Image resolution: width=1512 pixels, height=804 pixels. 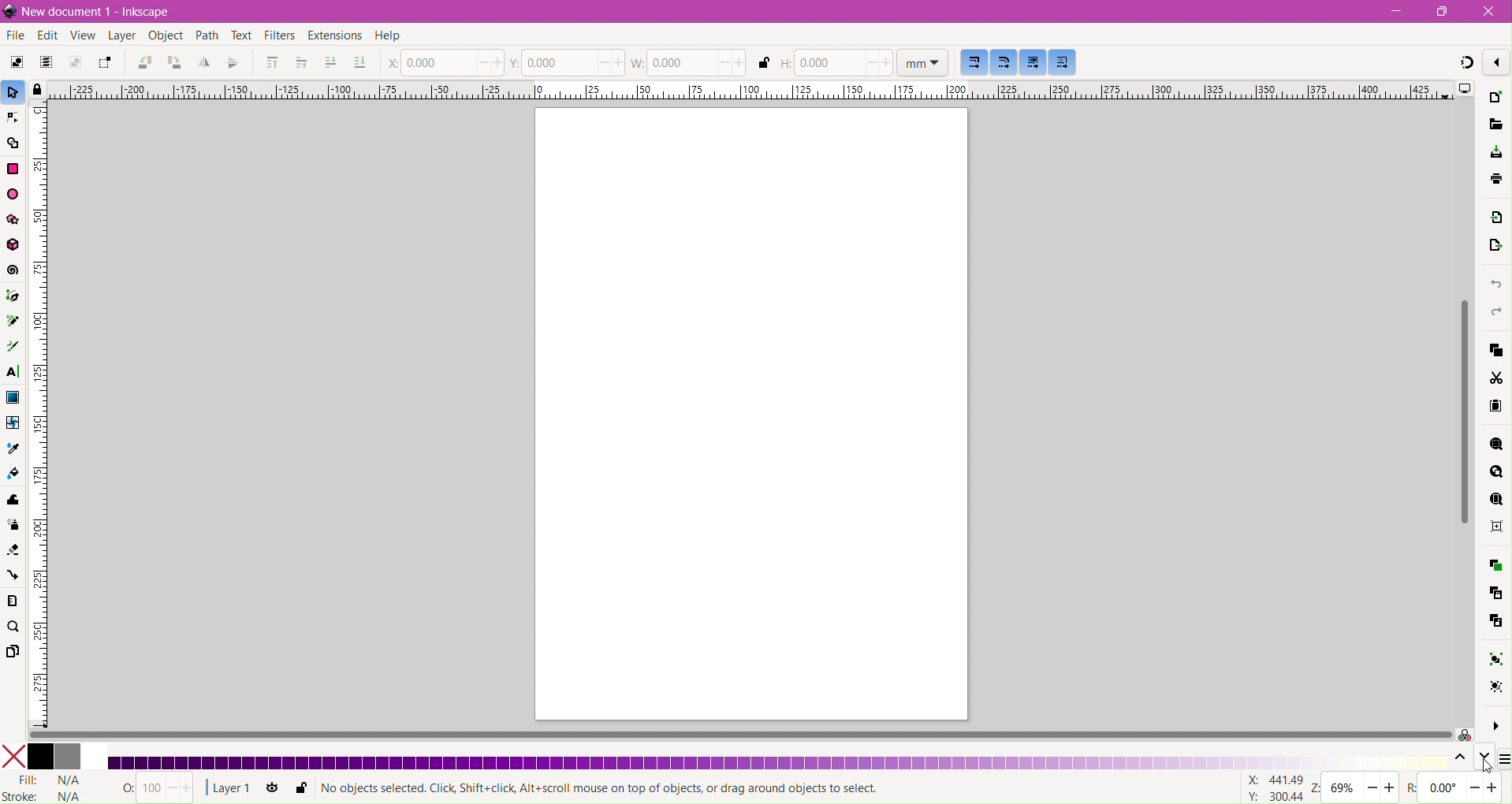 I want to click on Current Page, so click(x=748, y=415).